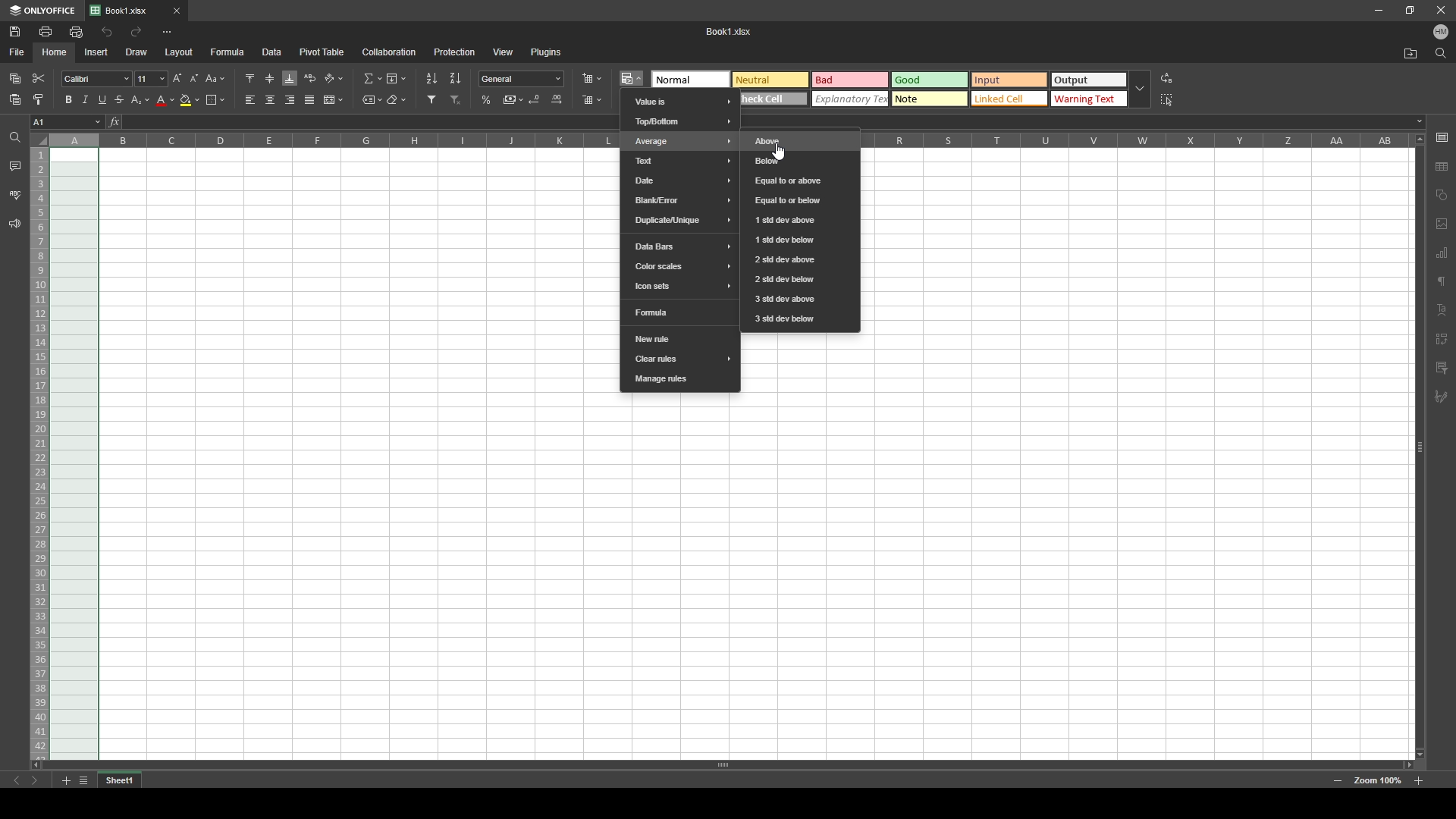  I want to click on home, so click(55, 52).